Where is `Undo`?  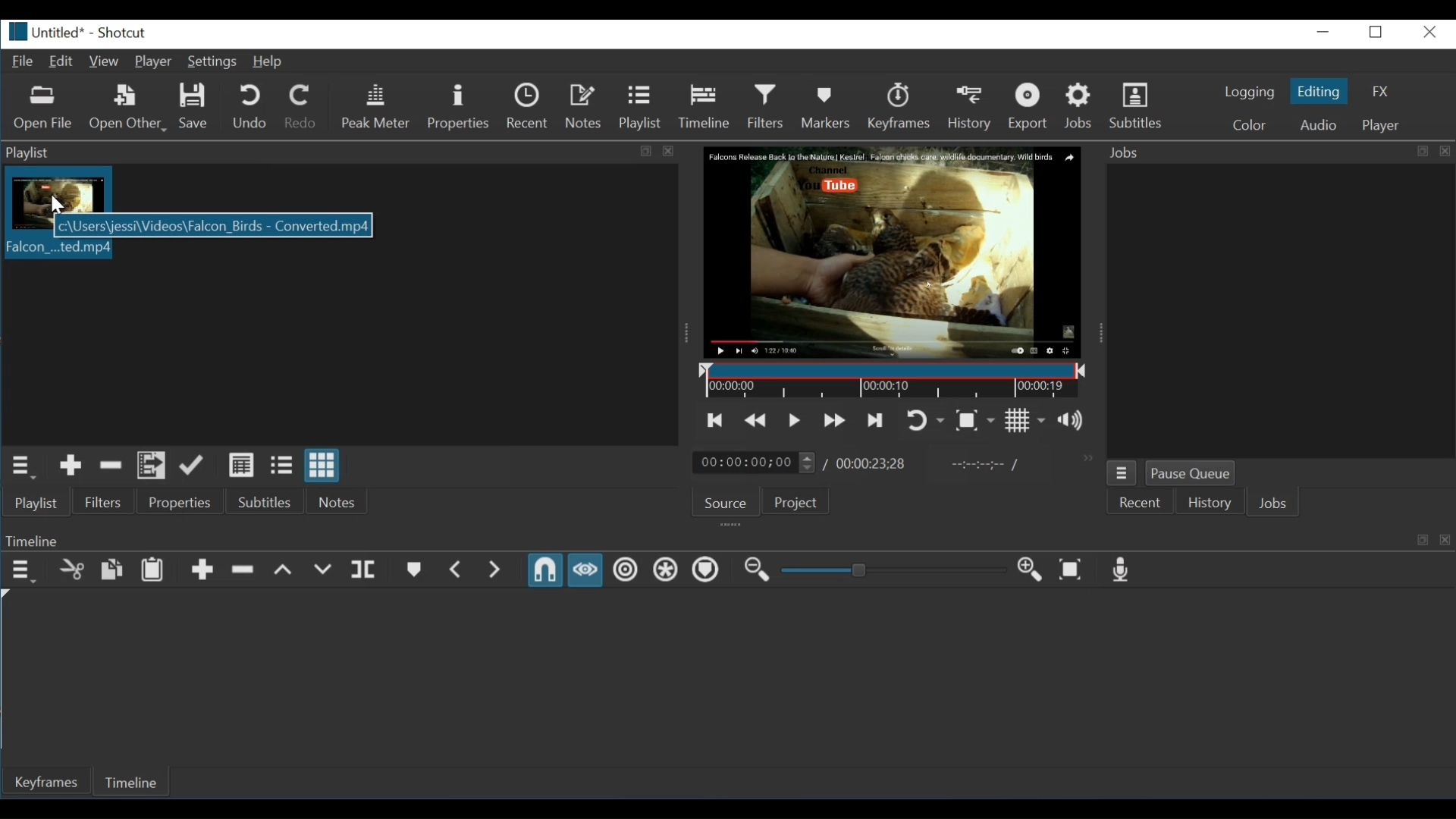
Undo is located at coordinates (252, 106).